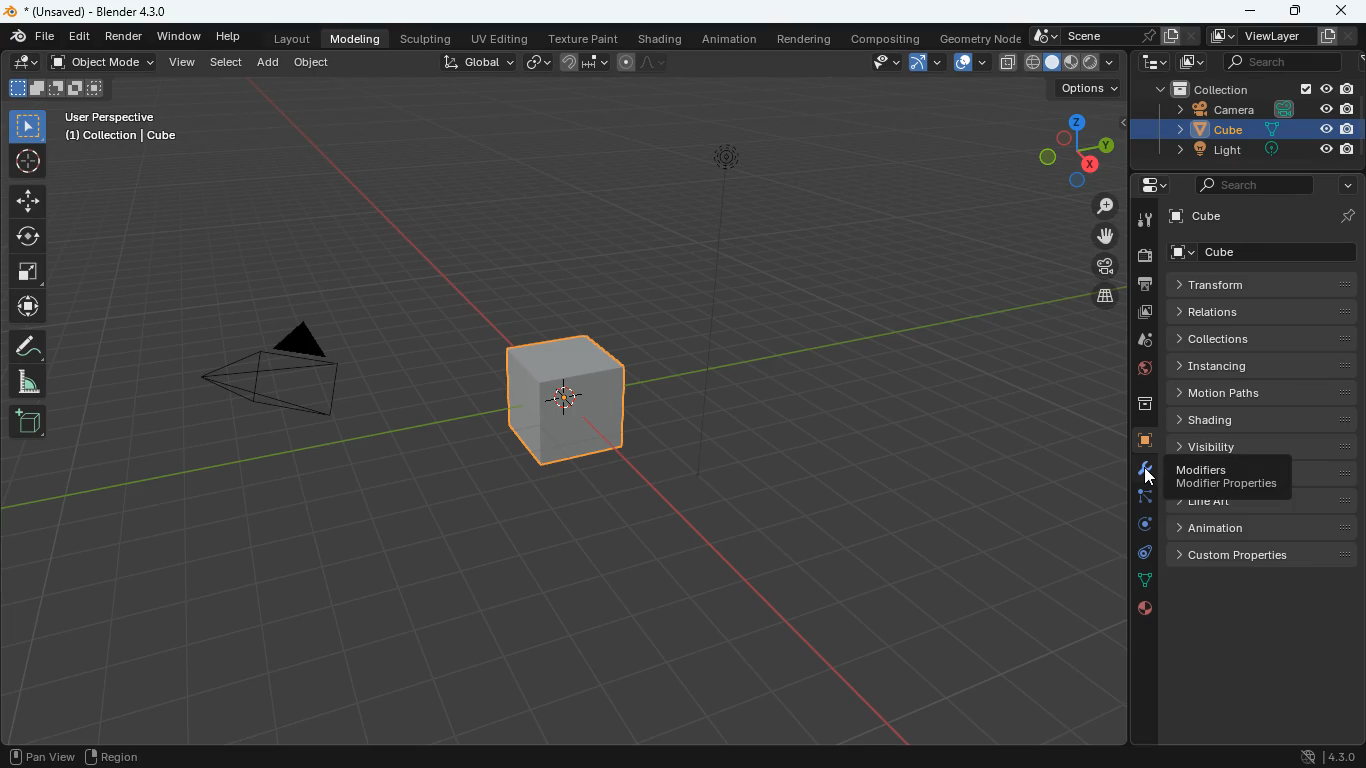  What do you see at coordinates (1136, 470) in the screenshot?
I see `modifiers` at bounding box center [1136, 470].